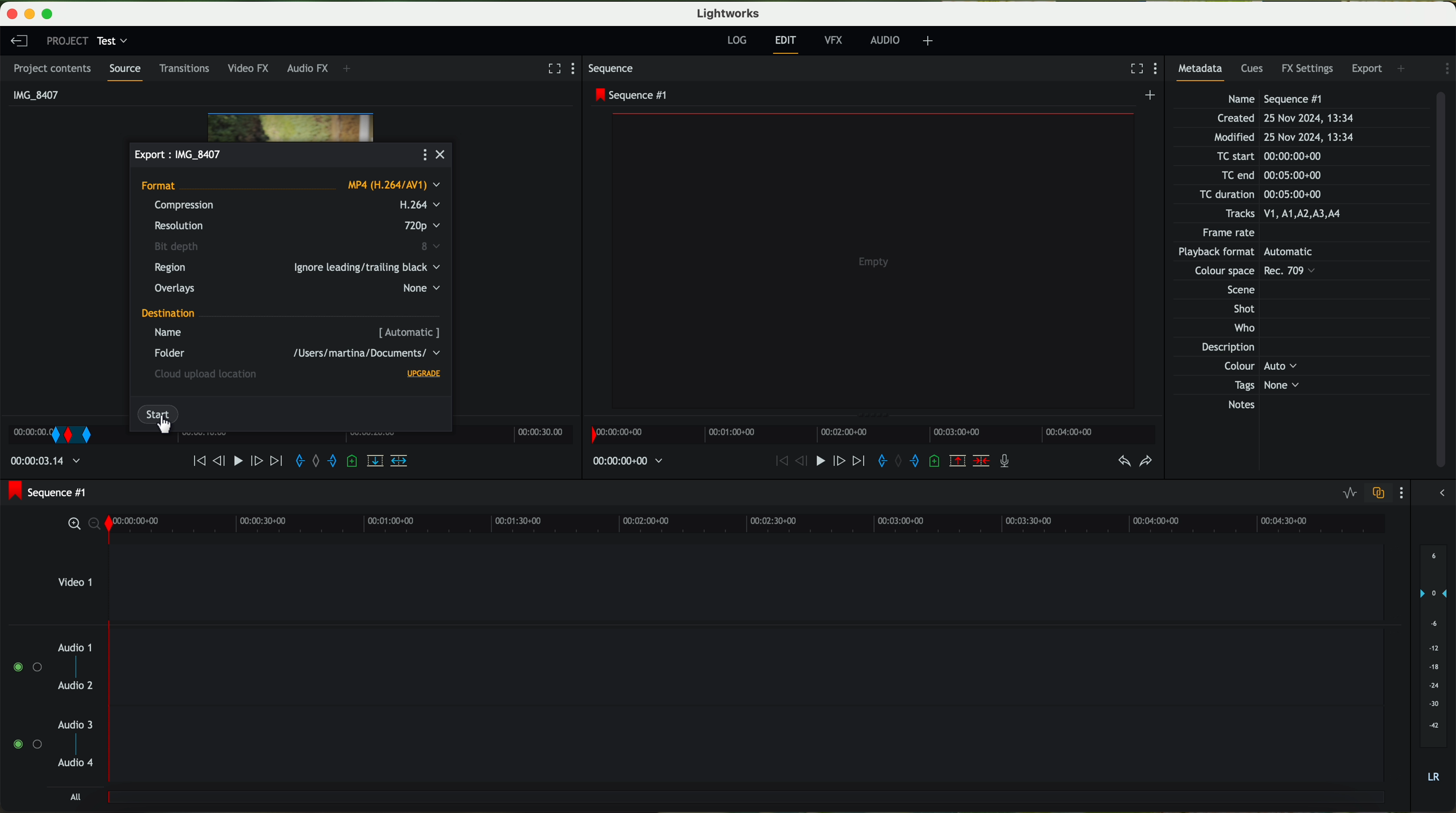 The height and width of the screenshot is (813, 1456). I want to click on , so click(1258, 366).